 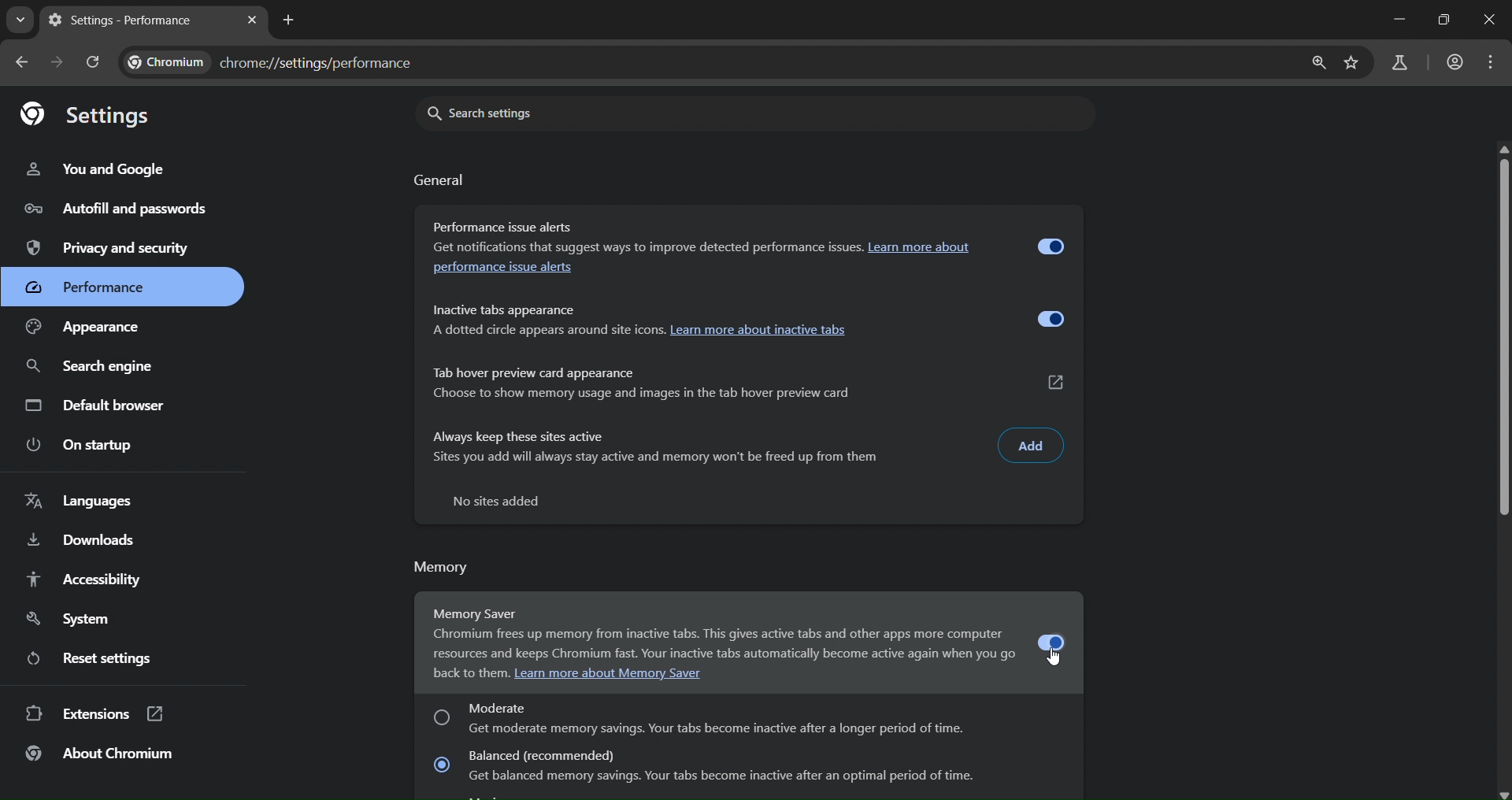 I want to click on search engine, so click(x=93, y=365).